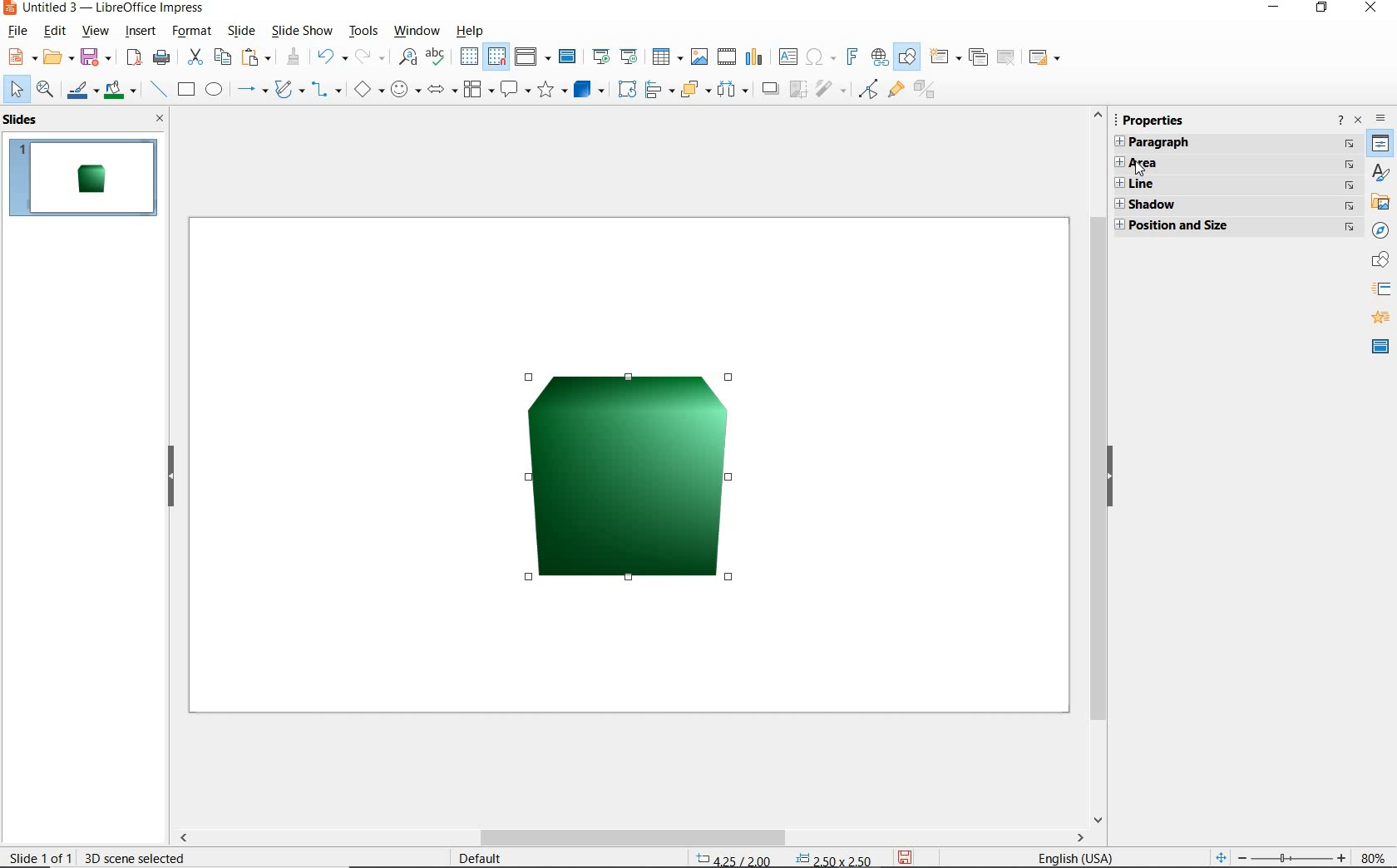 The width and height of the screenshot is (1397, 868). What do you see at coordinates (1277, 856) in the screenshot?
I see `ZOOM OUT OR ZOOM IN` at bounding box center [1277, 856].